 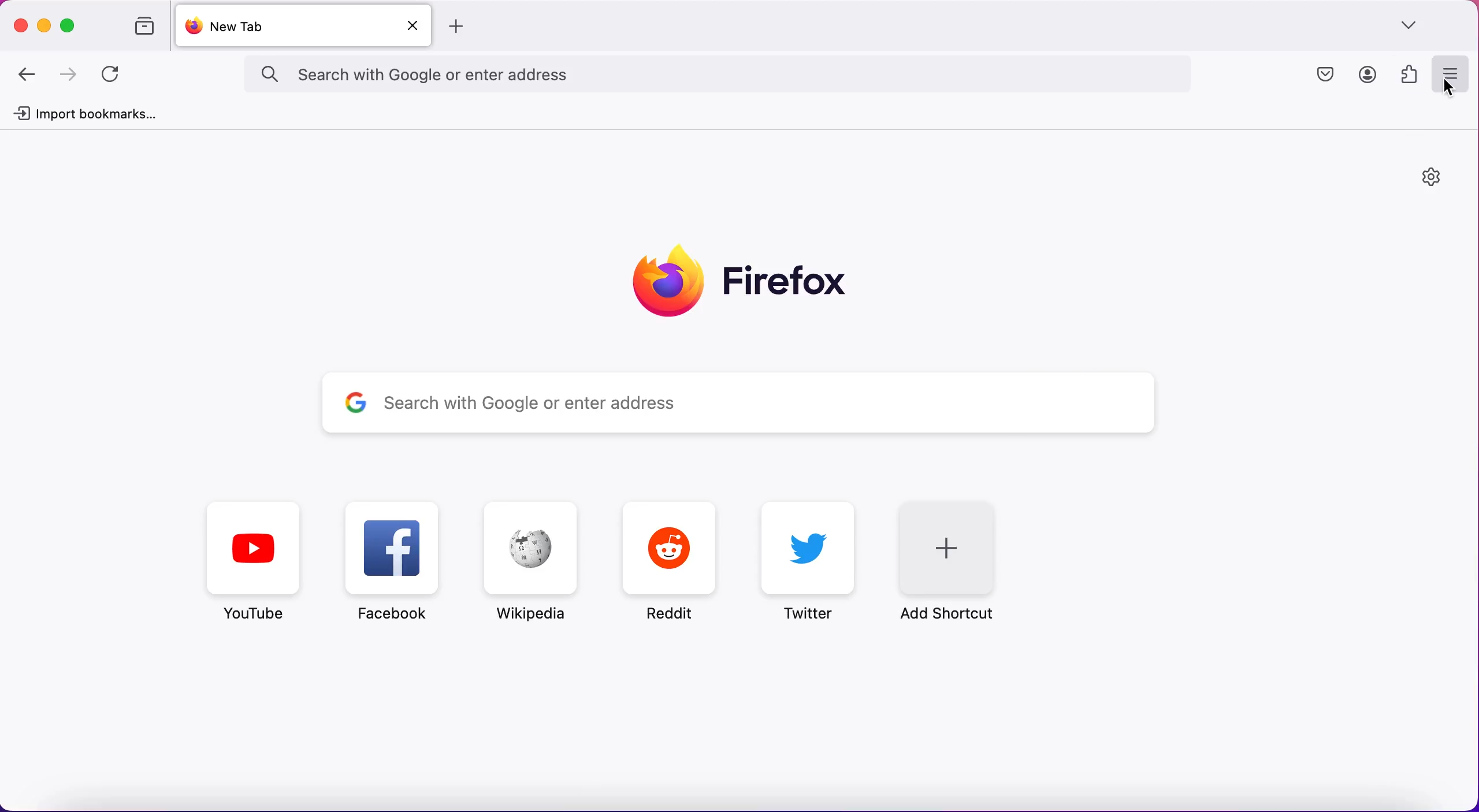 What do you see at coordinates (282, 26) in the screenshot?
I see `new tab` at bounding box center [282, 26].